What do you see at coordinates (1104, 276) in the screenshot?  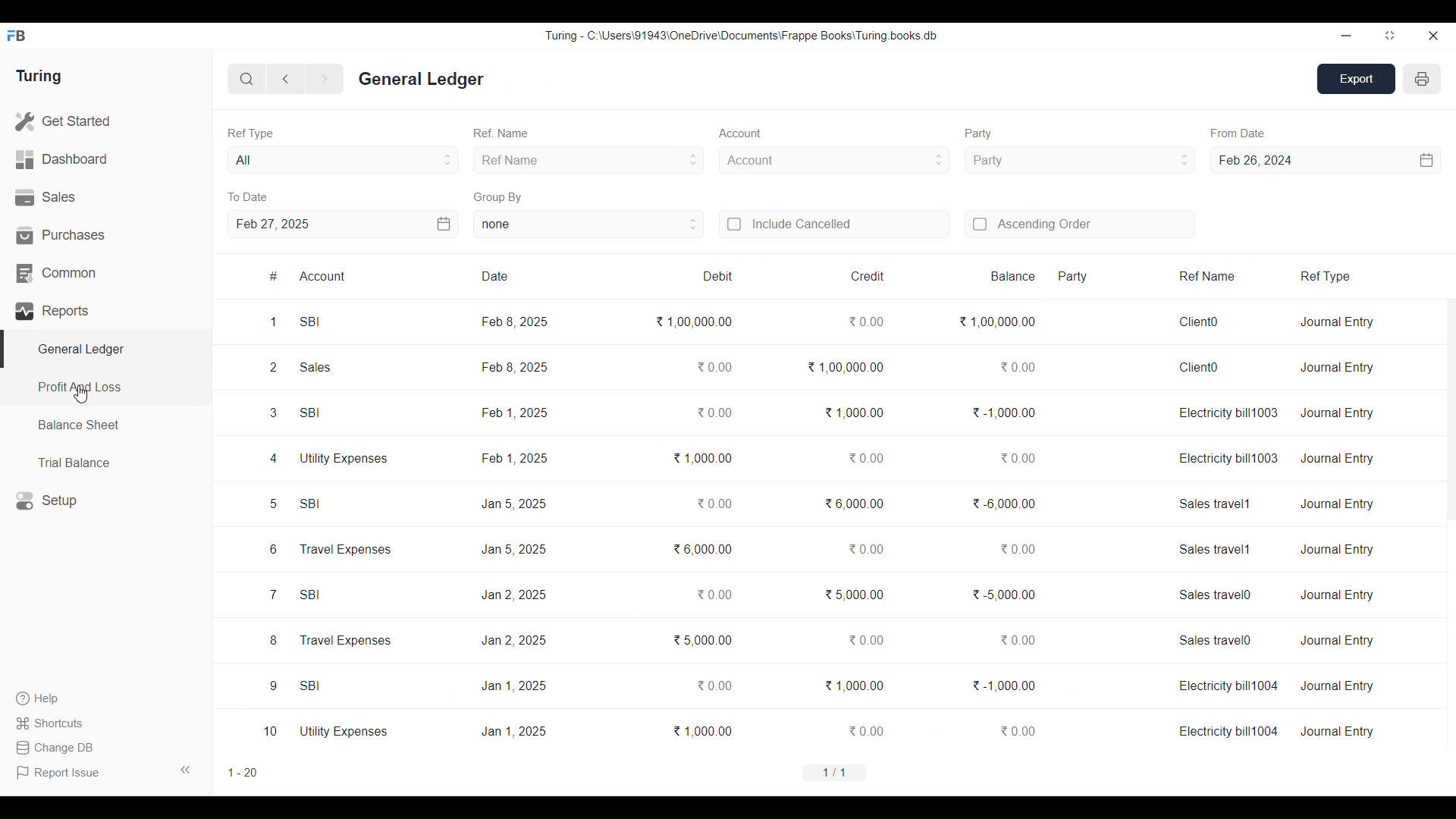 I see `Party` at bounding box center [1104, 276].